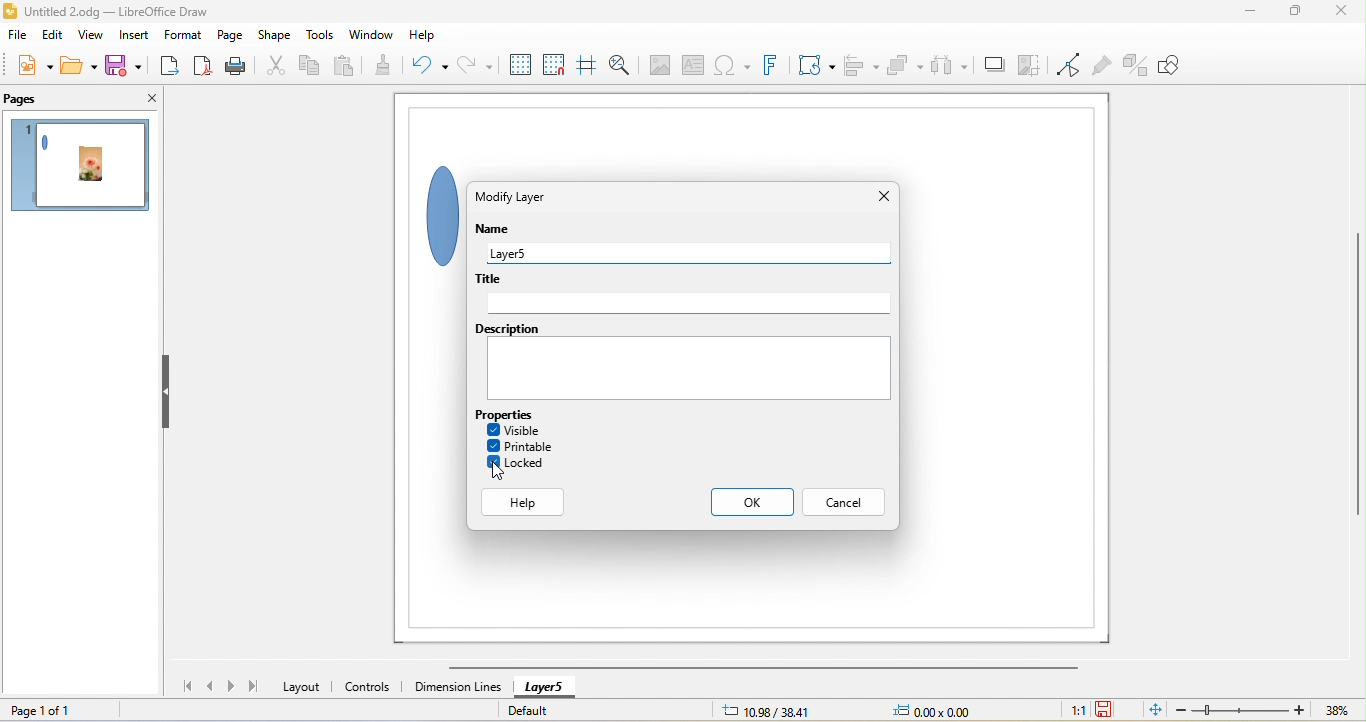 The width and height of the screenshot is (1366, 722). What do you see at coordinates (499, 230) in the screenshot?
I see `name` at bounding box center [499, 230].